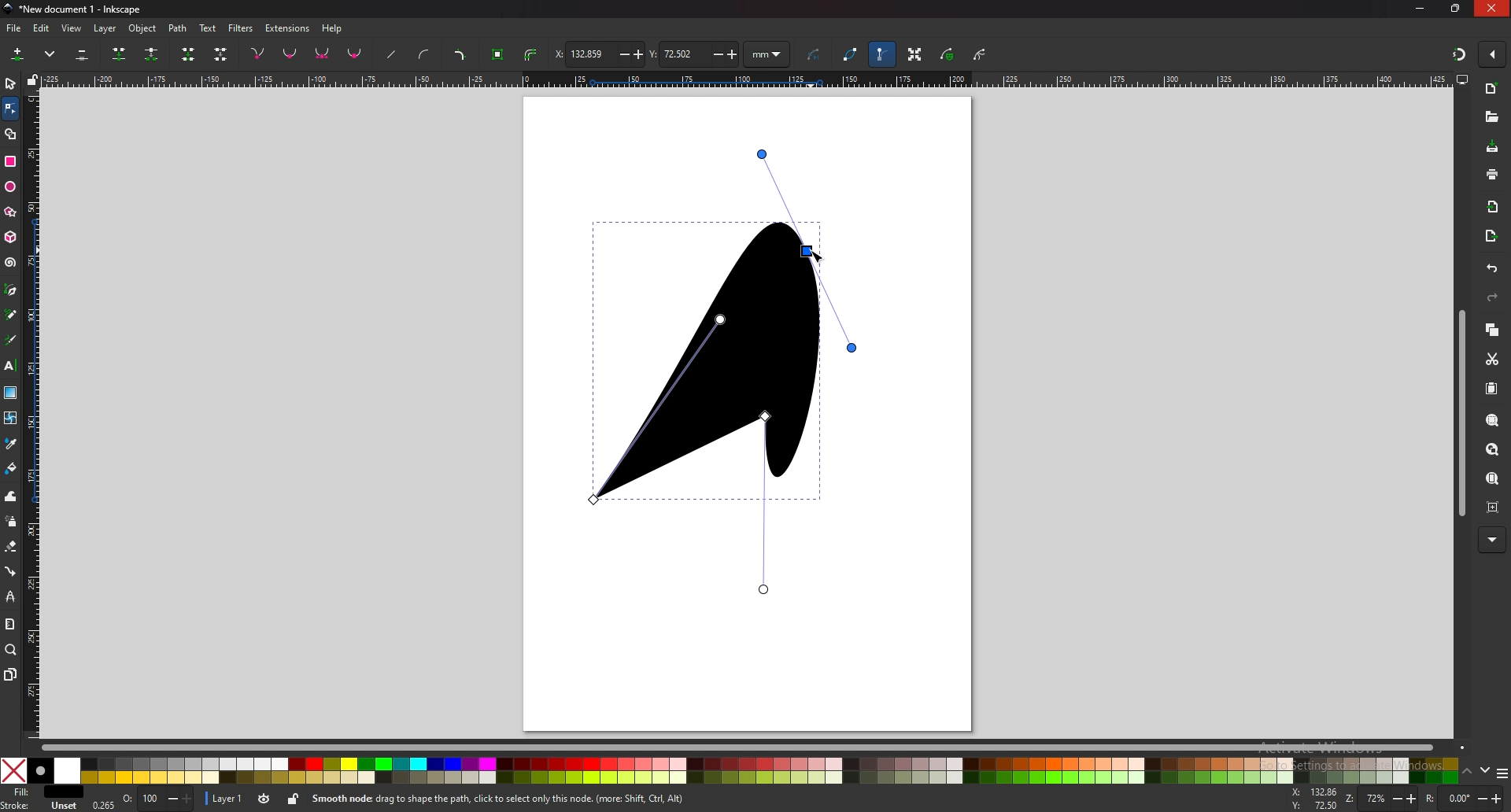 This screenshot has width=1511, height=812. I want to click on text, so click(208, 28).